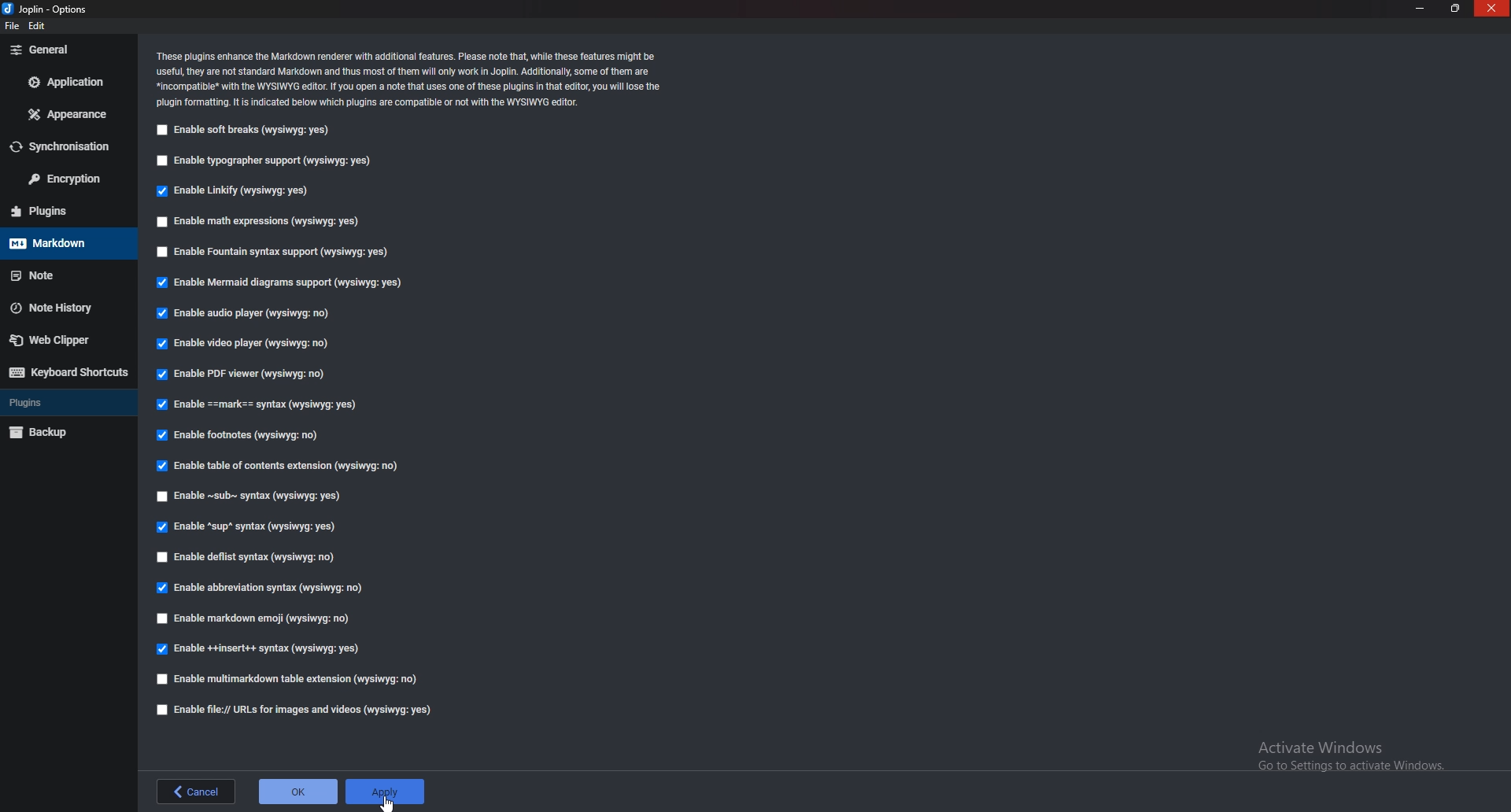  I want to click on Enable video player, so click(245, 344).